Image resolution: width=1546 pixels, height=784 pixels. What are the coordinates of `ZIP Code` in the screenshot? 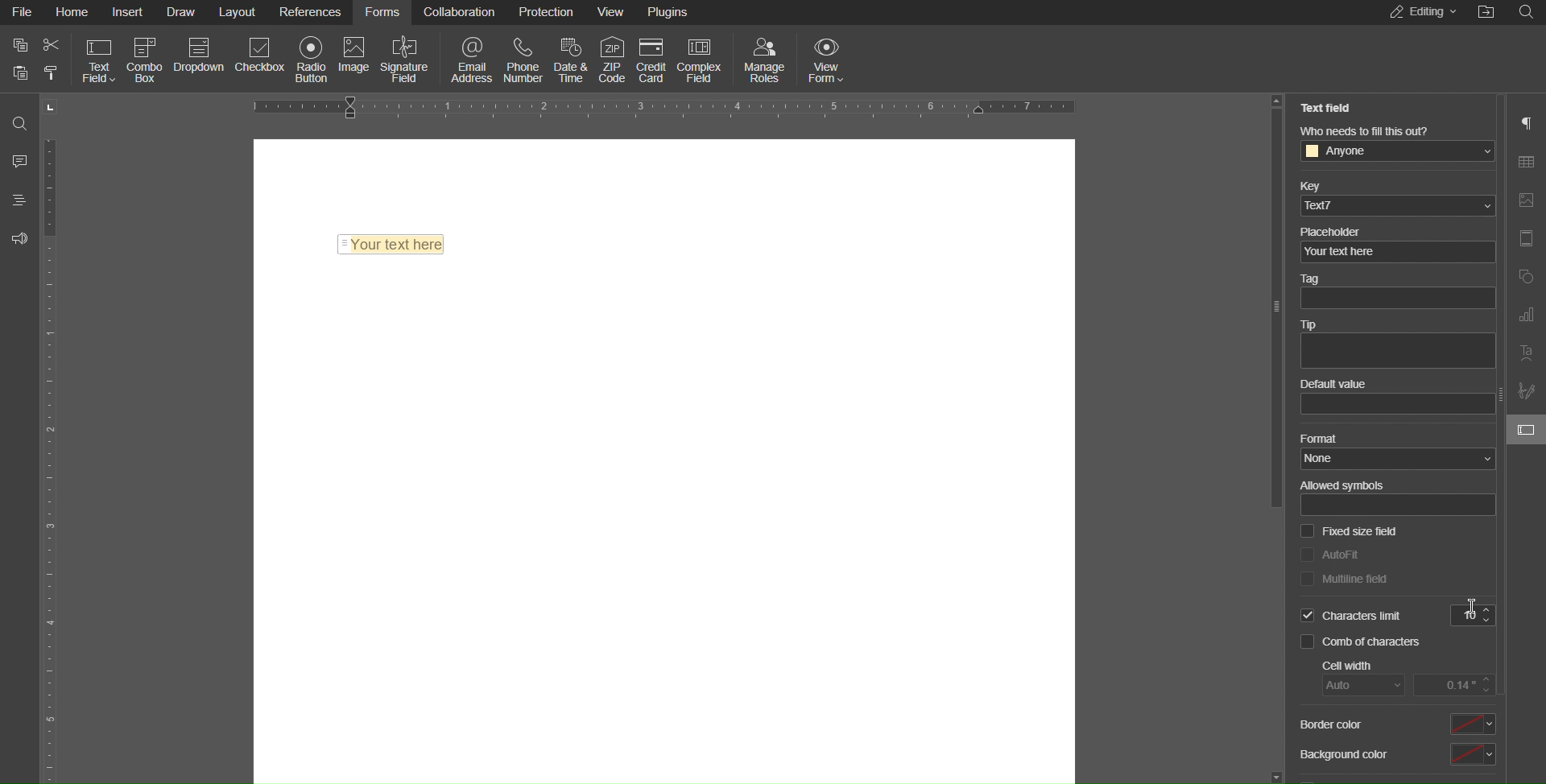 It's located at (614, 56).